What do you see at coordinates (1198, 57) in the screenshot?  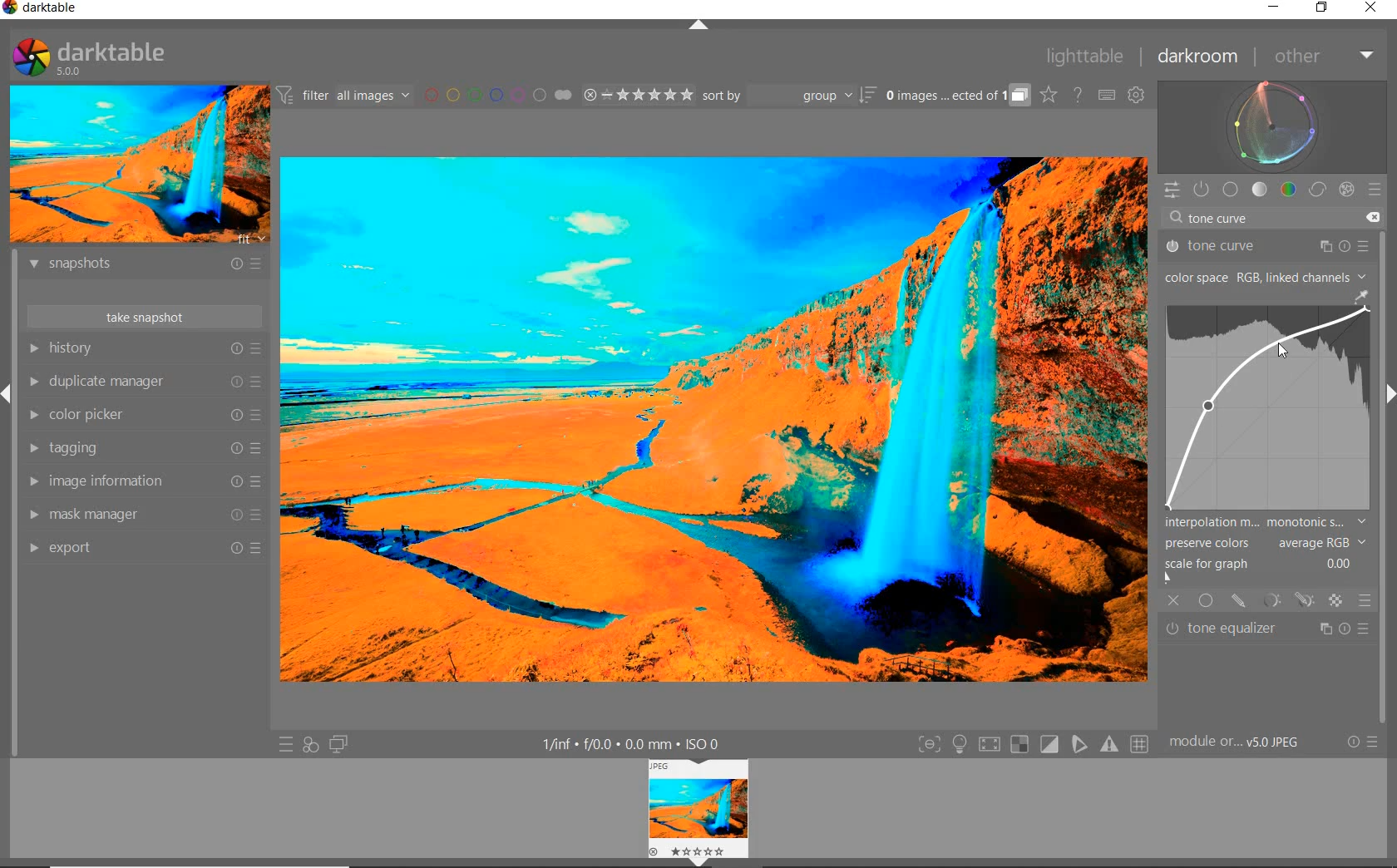 I see `darkroom` at bounding box center [1198, 57].